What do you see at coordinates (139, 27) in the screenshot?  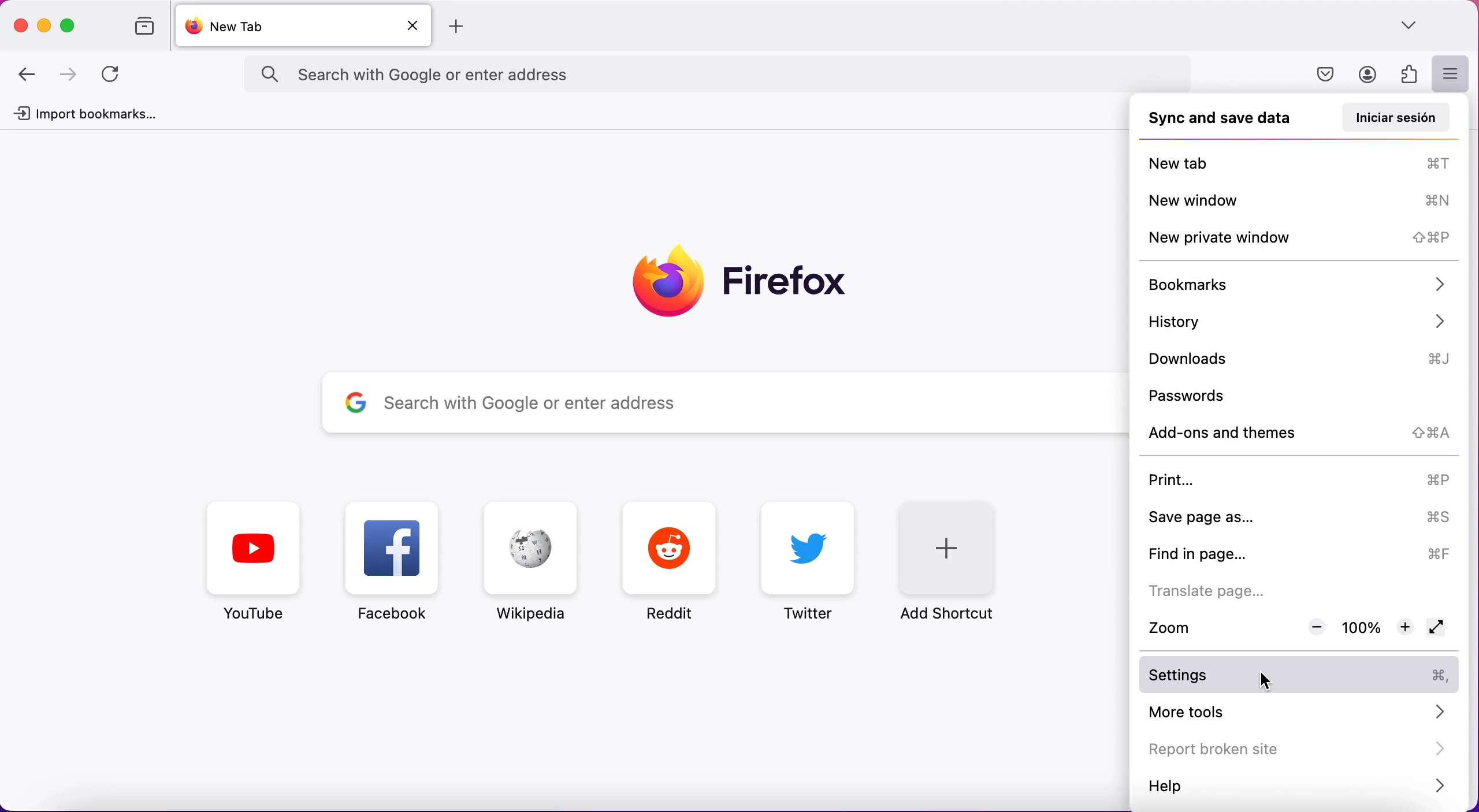 I see `view recent browsing across windows and devices` at bounding box center [139, 27].